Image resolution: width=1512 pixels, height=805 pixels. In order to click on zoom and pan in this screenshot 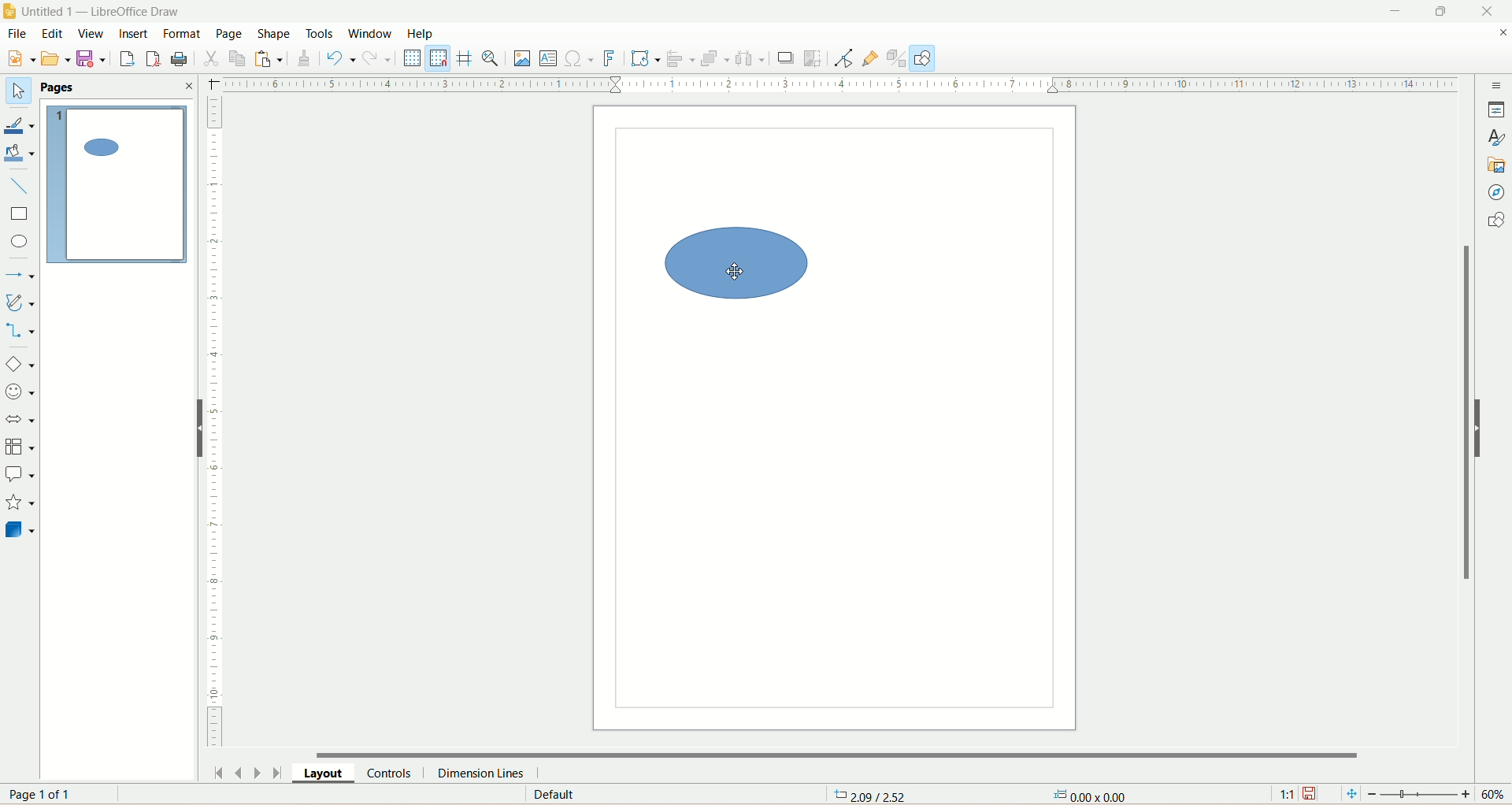, I will do `click(494, 61)`.